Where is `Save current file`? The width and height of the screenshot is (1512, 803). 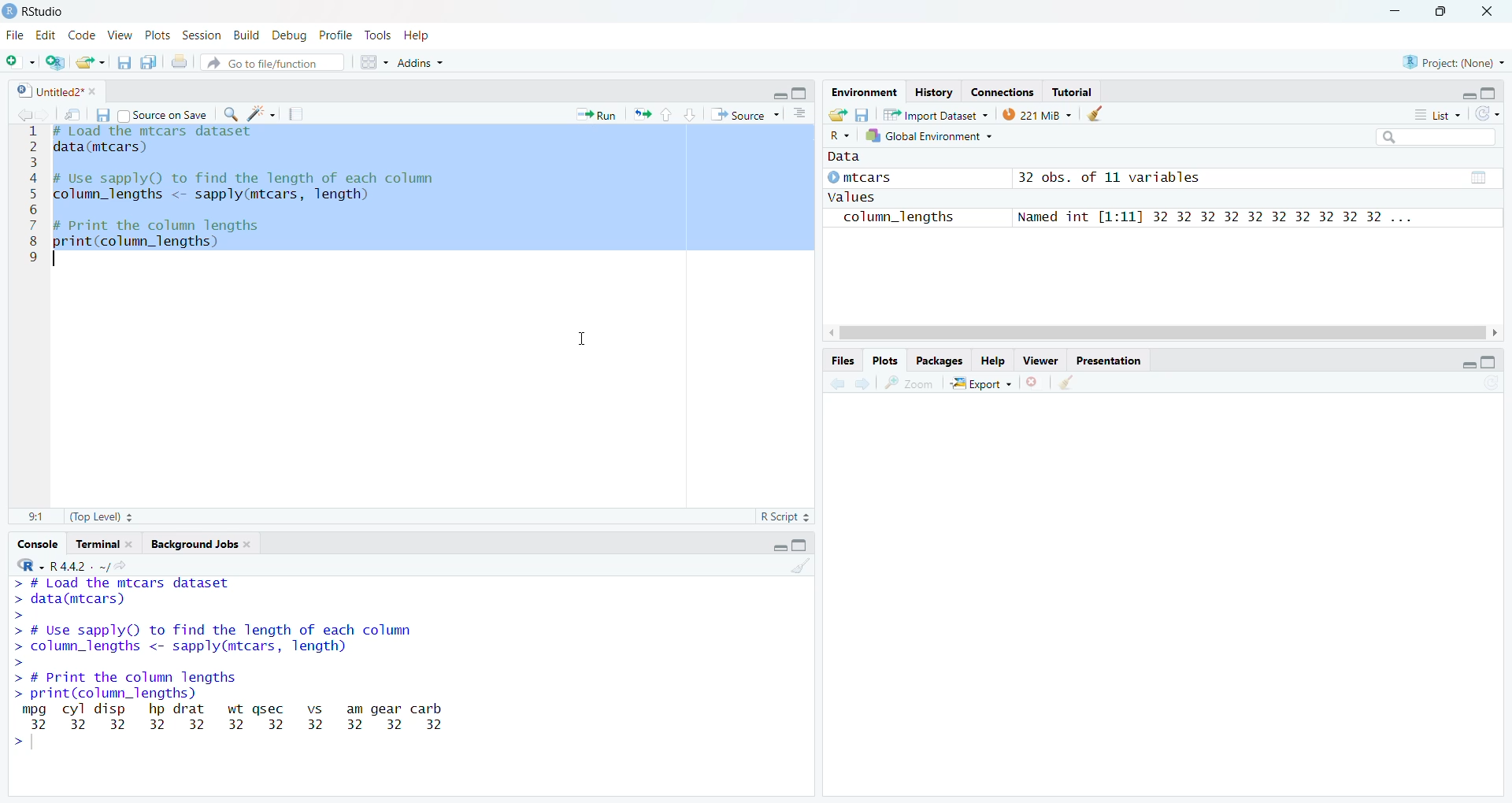
Save current file is located at coordinates (125, 62).